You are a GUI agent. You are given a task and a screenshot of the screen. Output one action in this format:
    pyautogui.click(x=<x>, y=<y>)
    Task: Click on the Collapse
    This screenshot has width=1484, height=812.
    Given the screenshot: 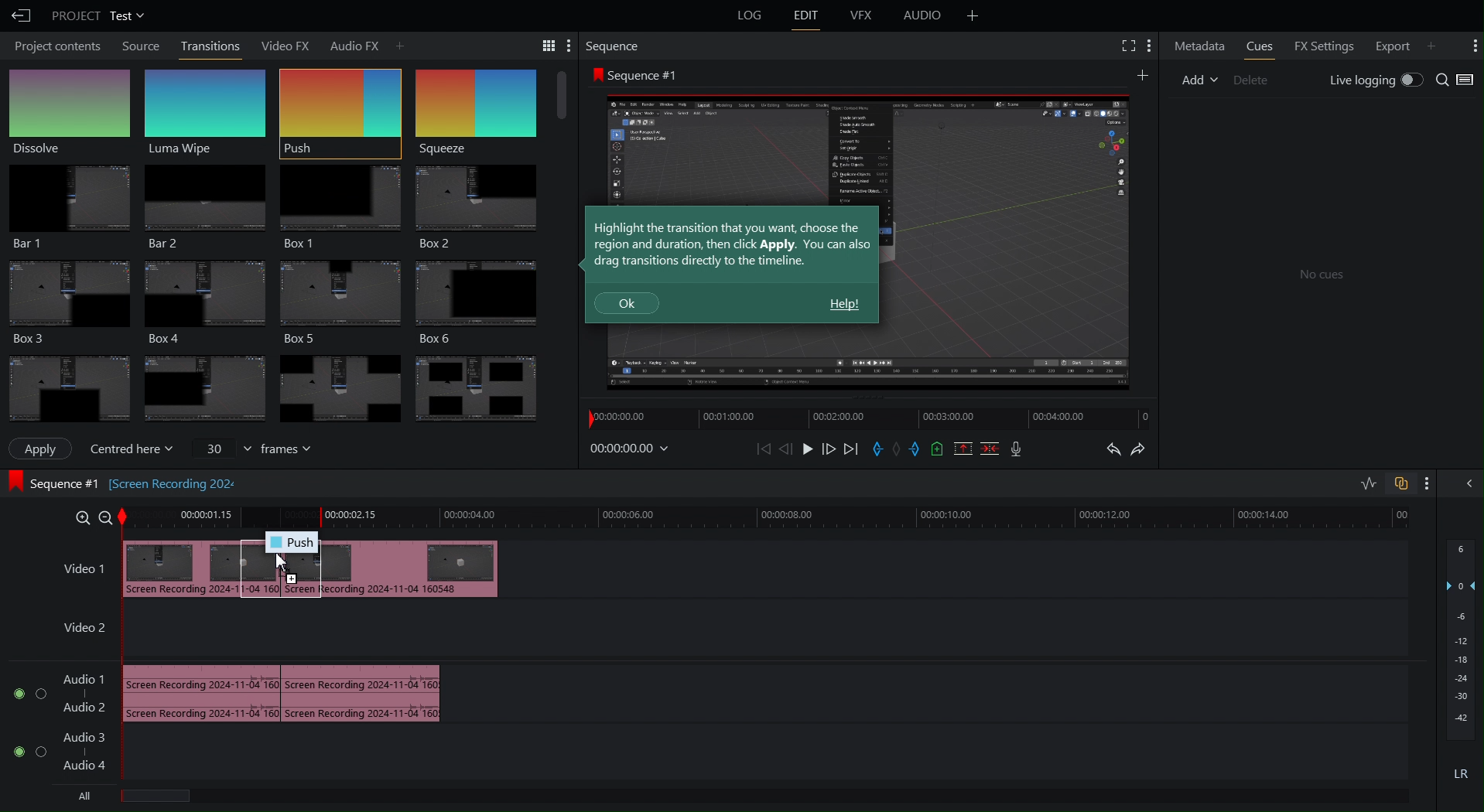 What is the action you would take?
    pyautogui.click(x=1467, y=483)
    